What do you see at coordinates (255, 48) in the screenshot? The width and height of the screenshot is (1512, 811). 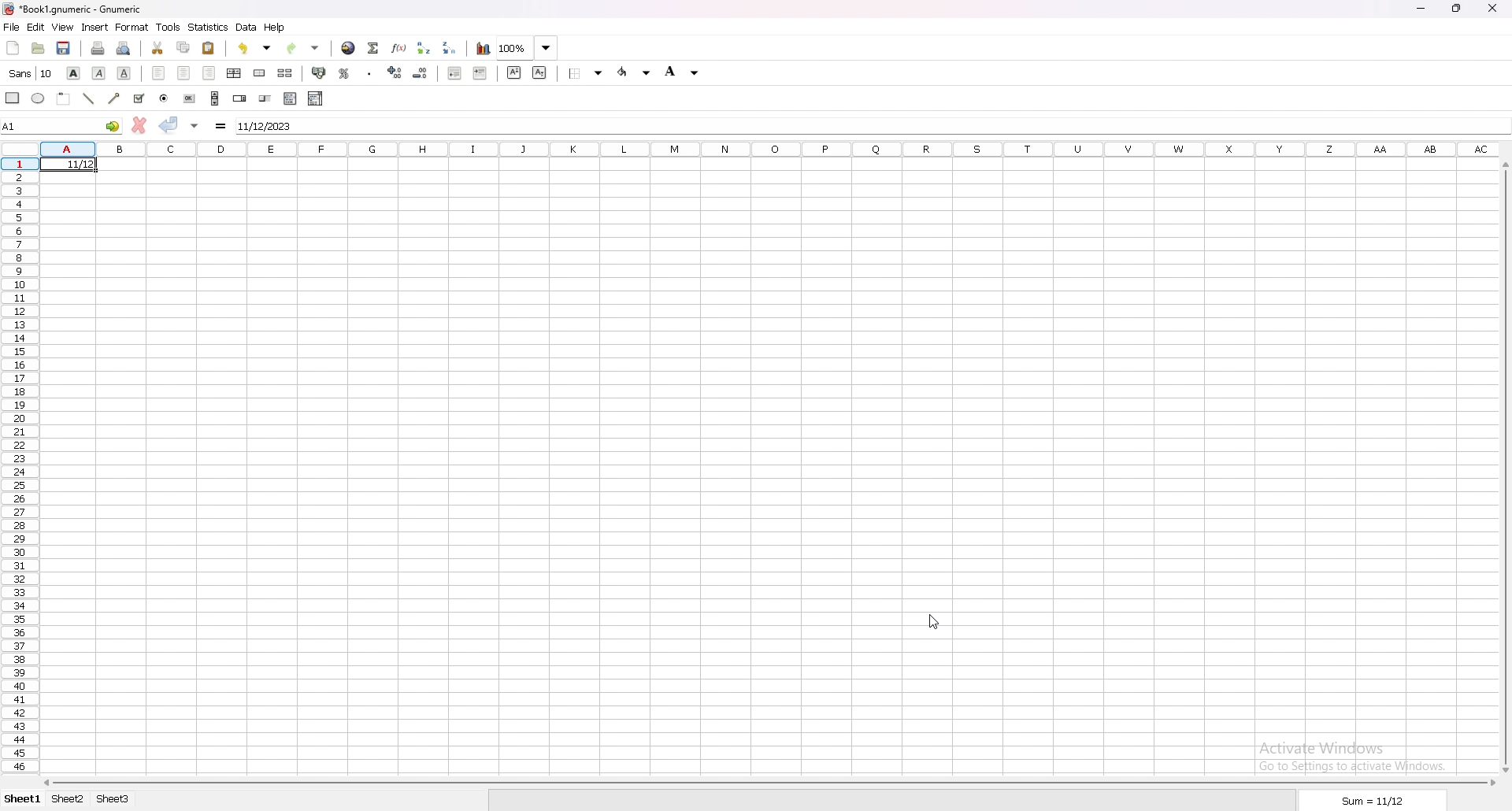 I see `undo` at bounding box center [255, 48].